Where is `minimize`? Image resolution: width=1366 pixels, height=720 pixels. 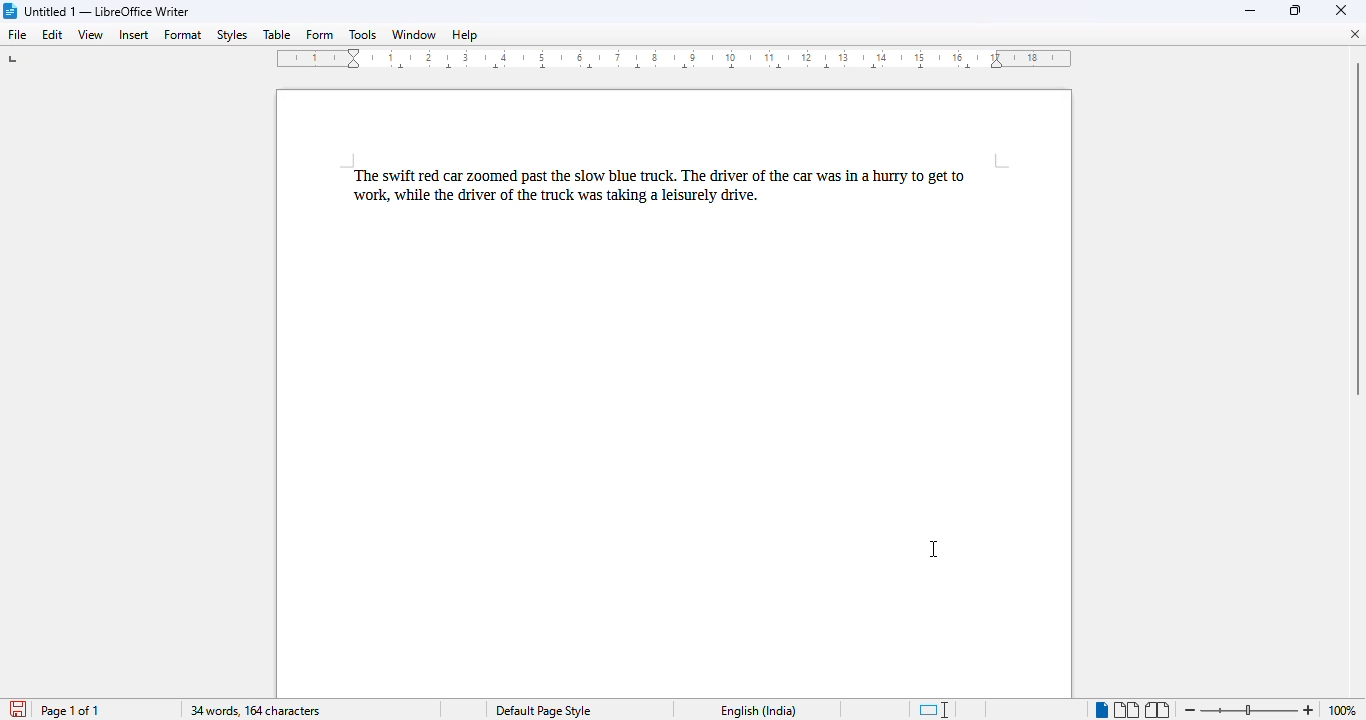 minimize is located at coordinates (1251, 10).